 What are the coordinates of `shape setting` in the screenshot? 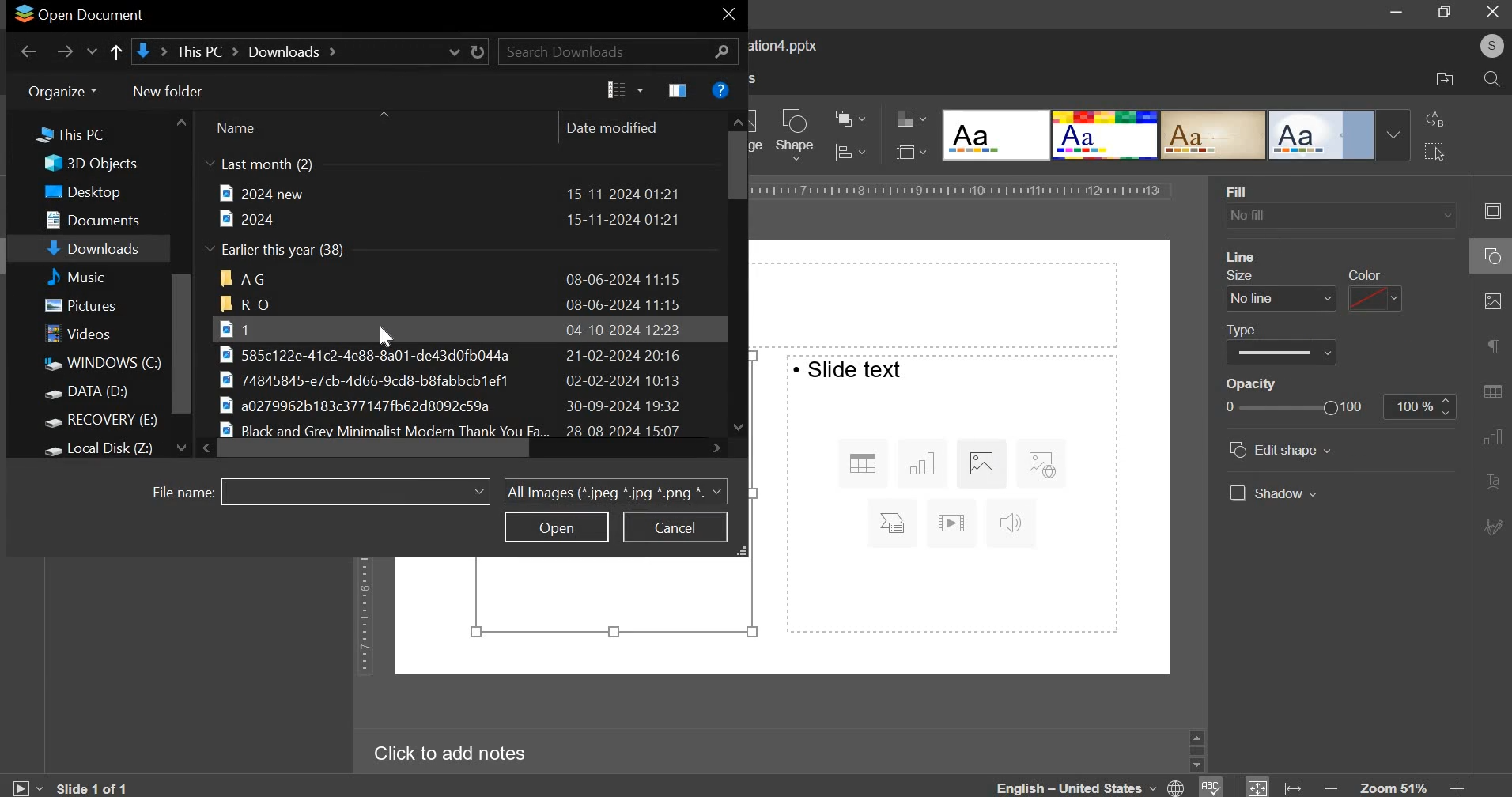 It's located at (1494, 258).